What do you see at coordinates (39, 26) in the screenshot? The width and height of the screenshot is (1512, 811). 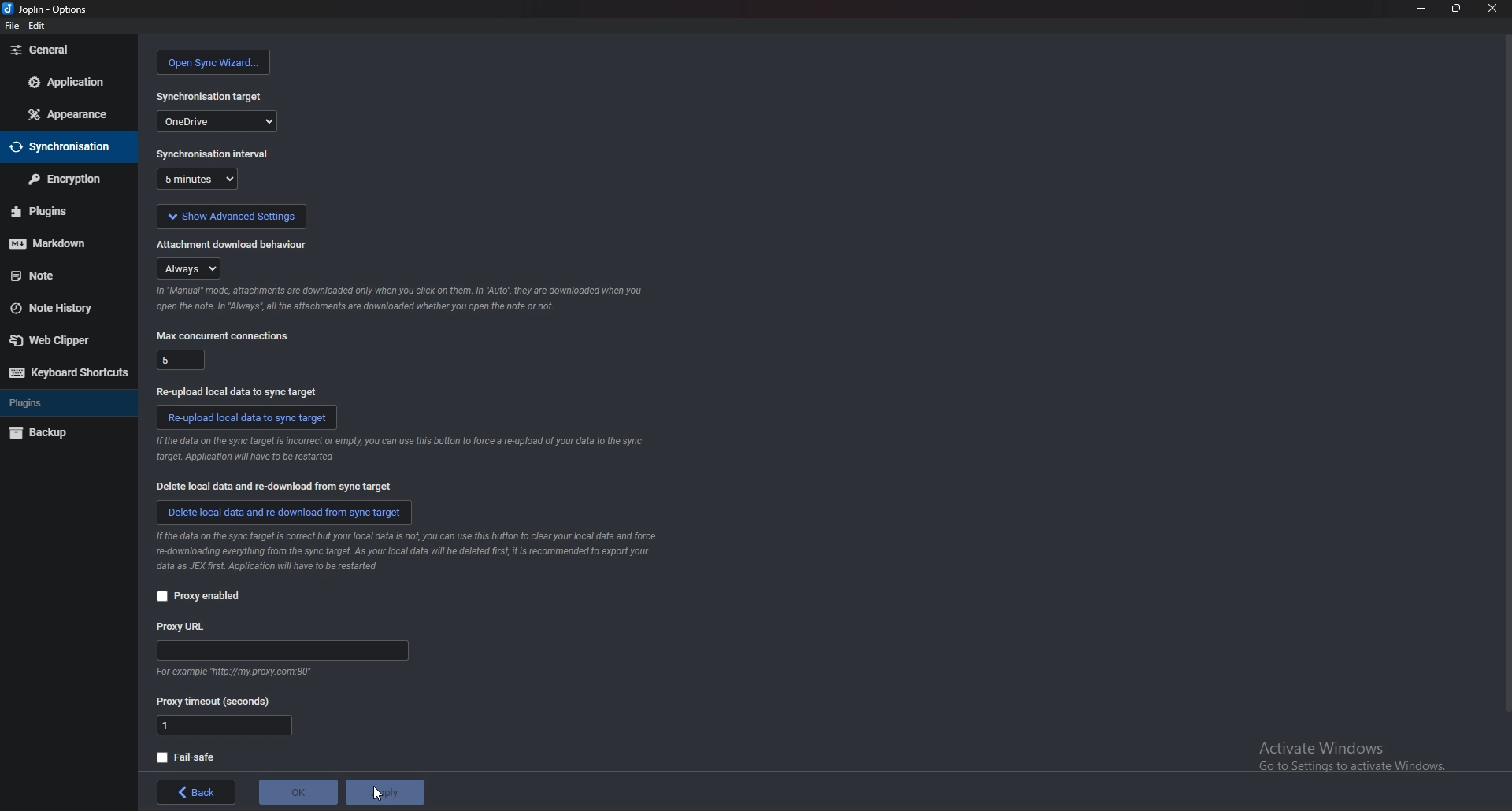 I see `edit` at bounding box center [39, 26].